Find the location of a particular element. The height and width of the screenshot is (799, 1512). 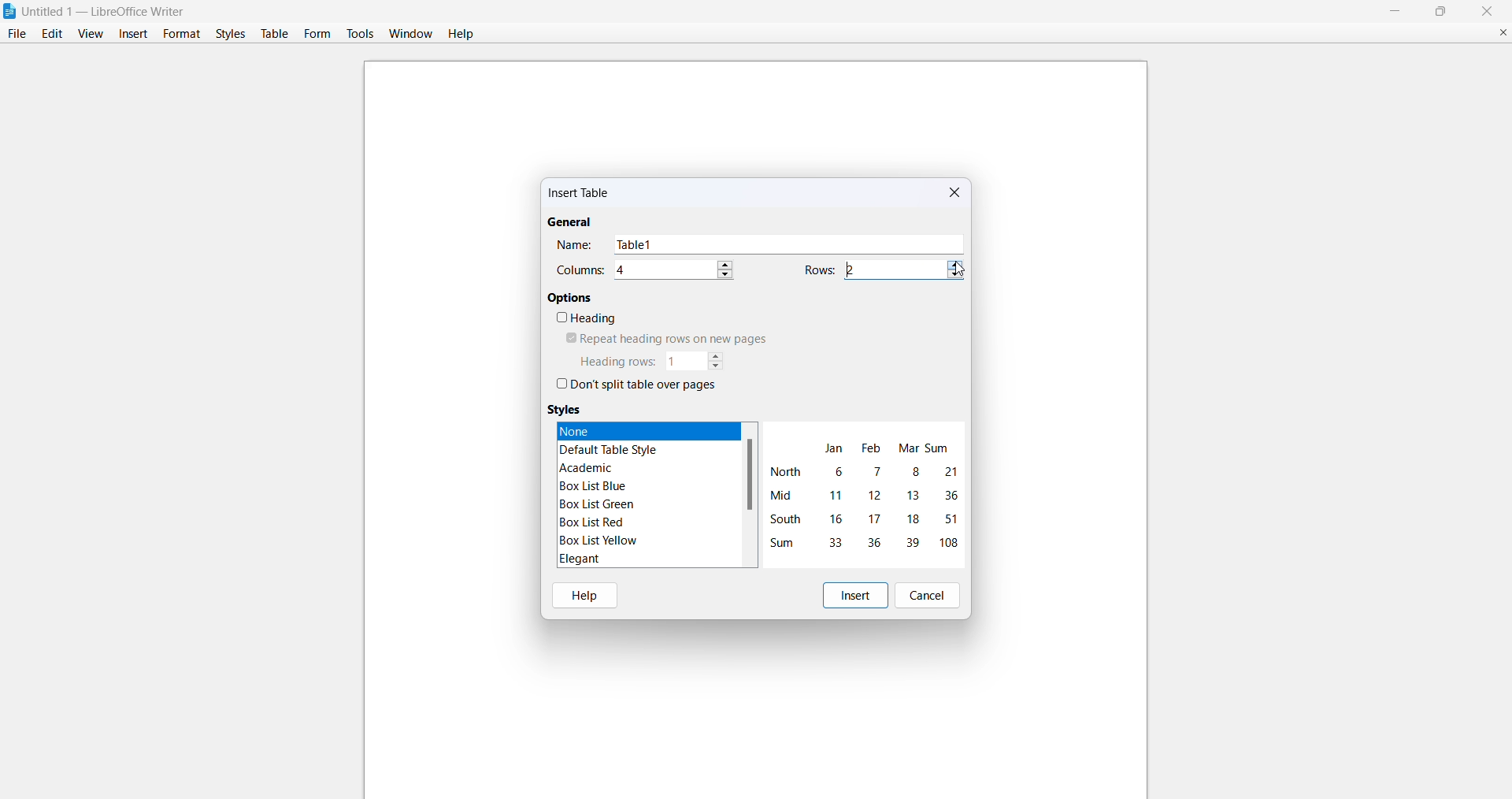

insert table is located at coordinates (581, 195).